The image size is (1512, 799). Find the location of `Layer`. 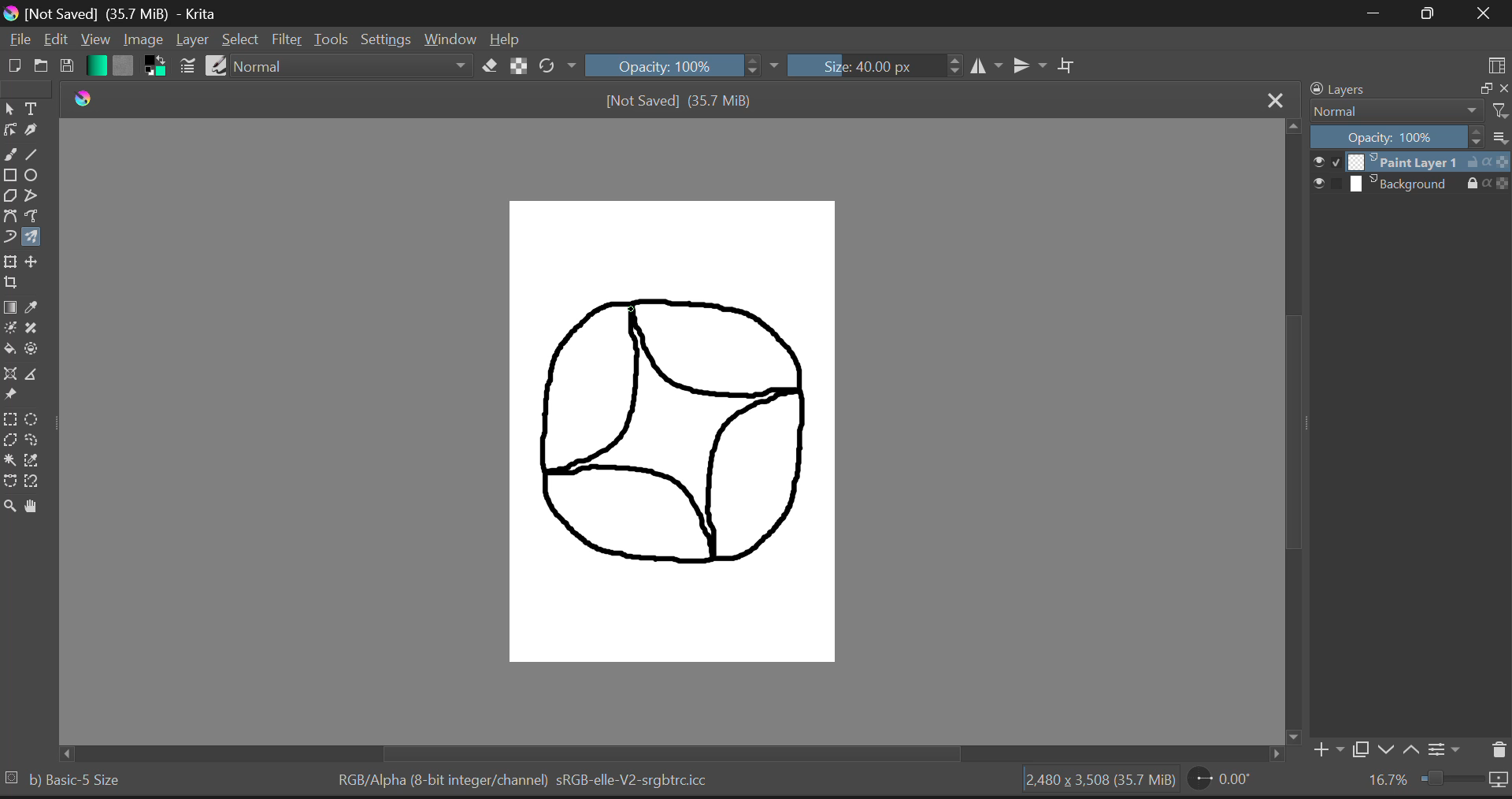

Layer is located at coordinates (192, 40).